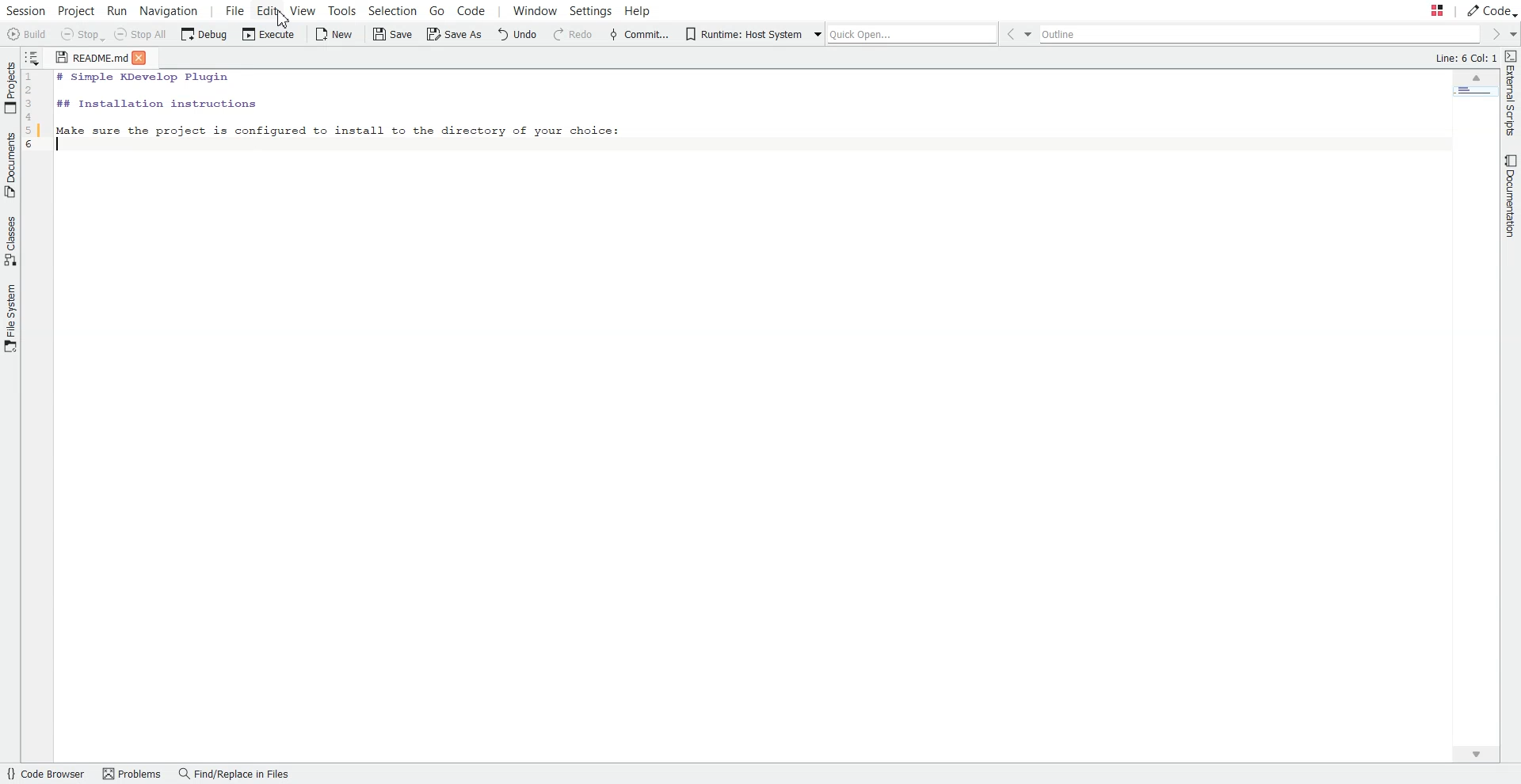 The height and width of the screenshot is (784, 1521). I want to click on Documents, so click(10, 165).